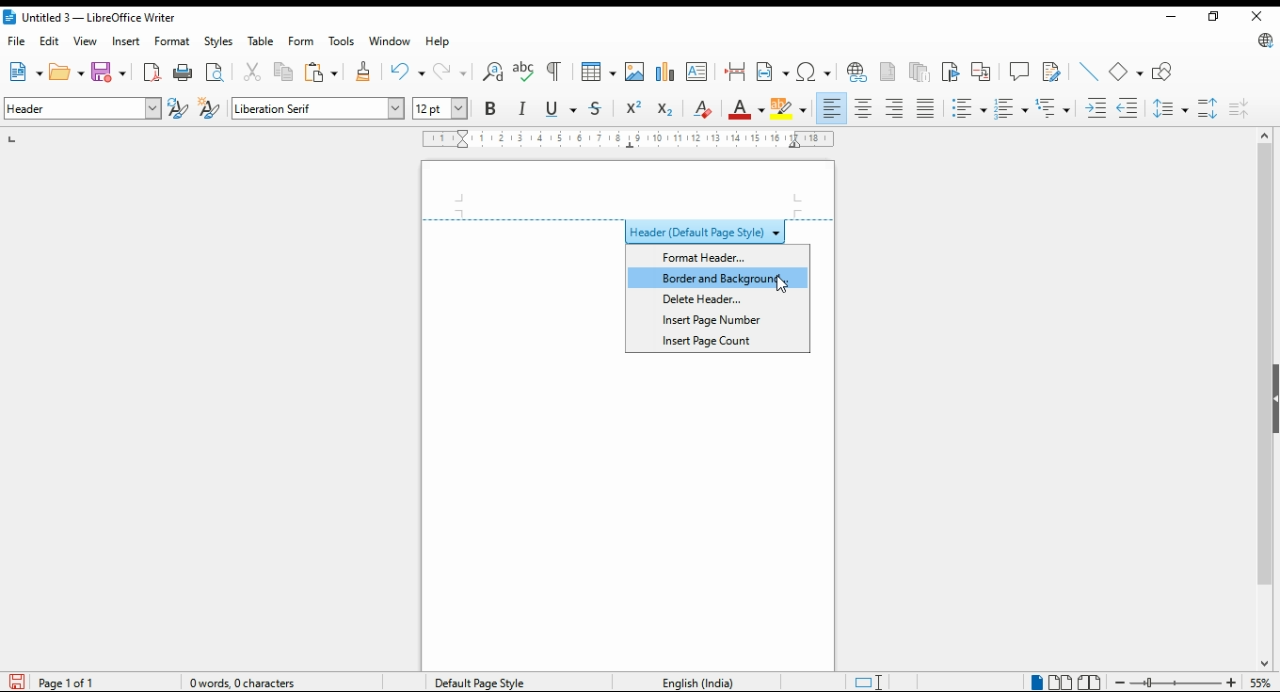 This screenshot has height=692, width=1280. I want to click on insert field, so click(773, 71).